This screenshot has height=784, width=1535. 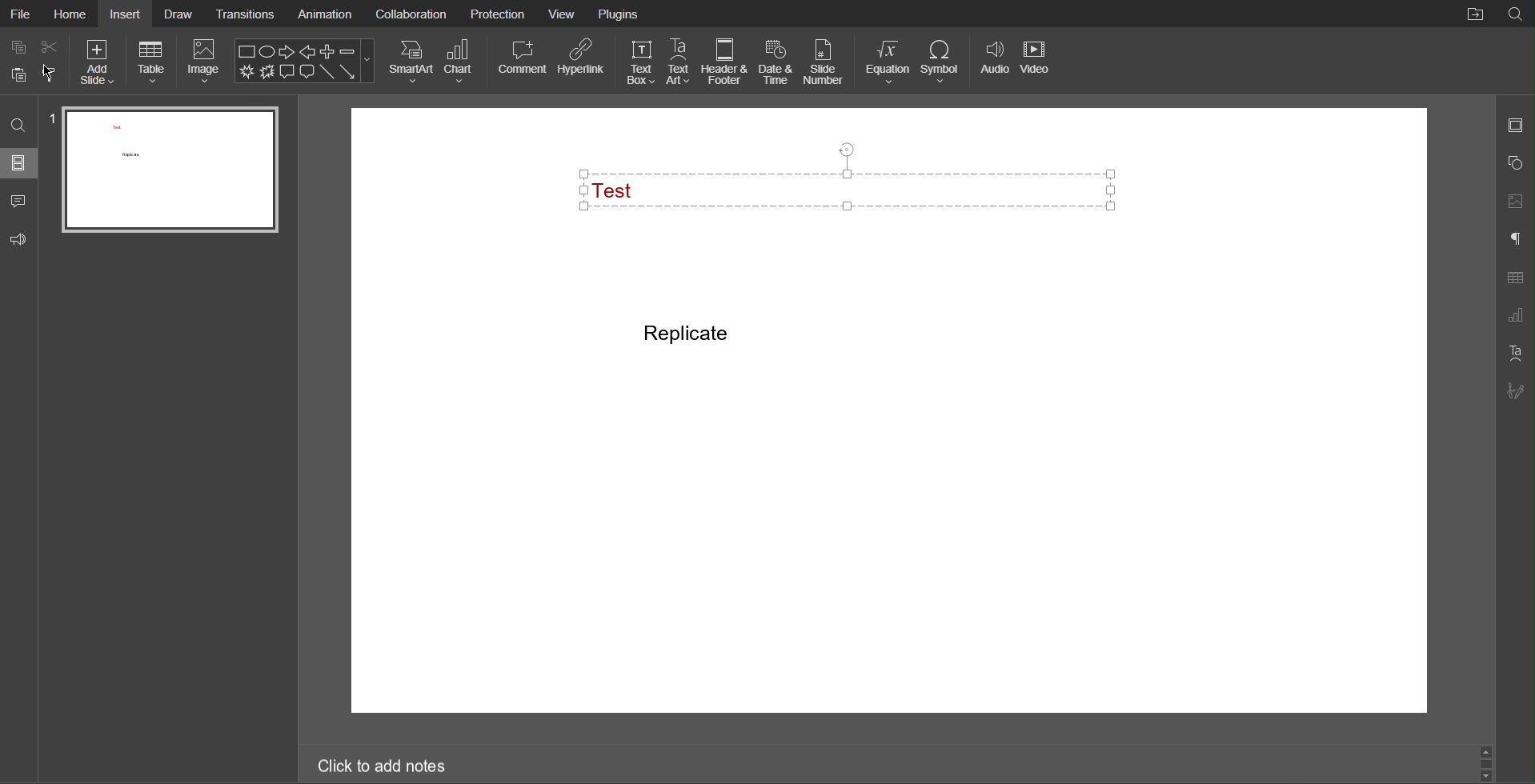 What do you see at coordinates (21, 123) in the screenshot?
I see `Search` at bounding box center [21, 123].